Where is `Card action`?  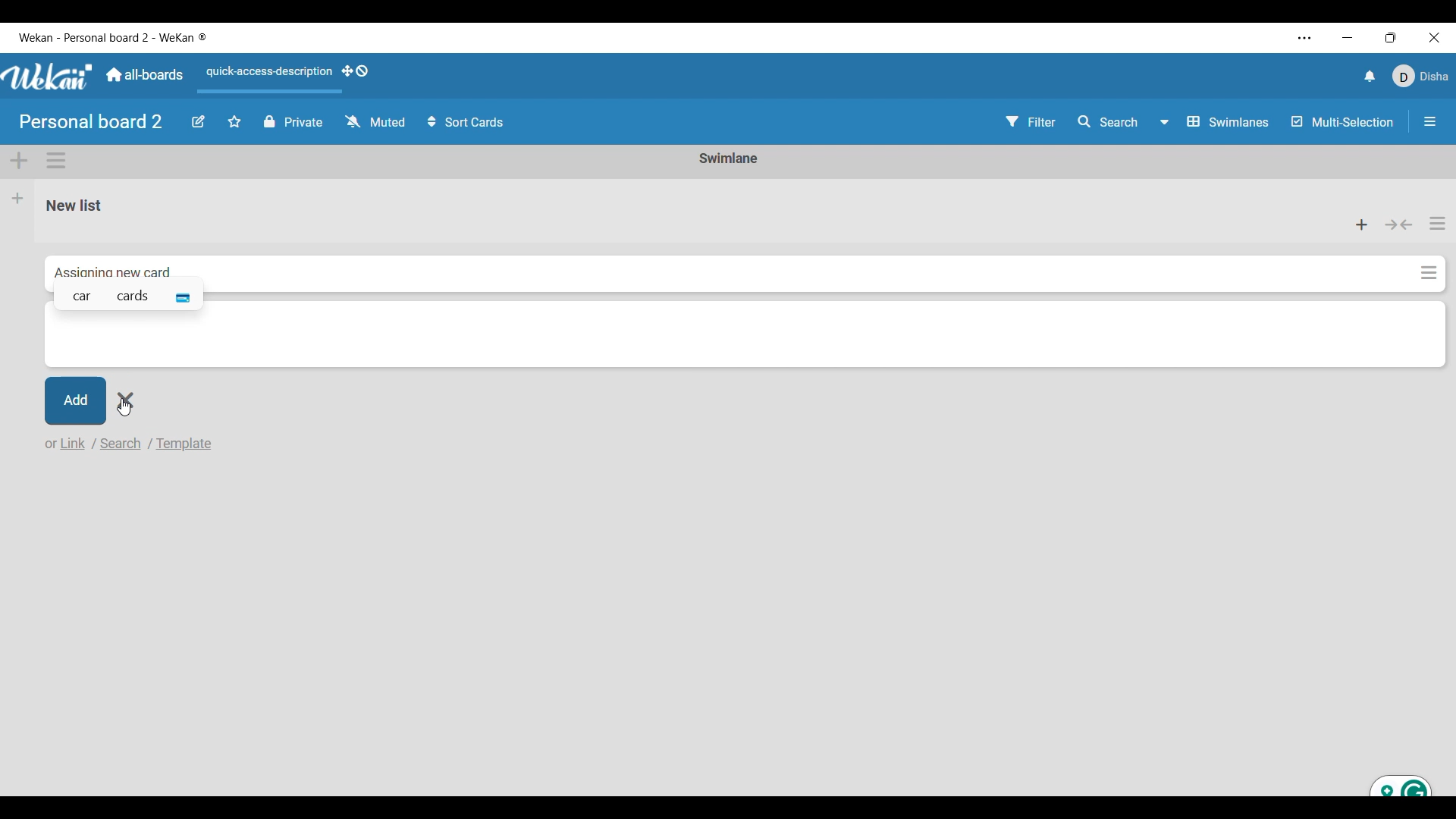
Card action is located at coordinates (1428, 272).